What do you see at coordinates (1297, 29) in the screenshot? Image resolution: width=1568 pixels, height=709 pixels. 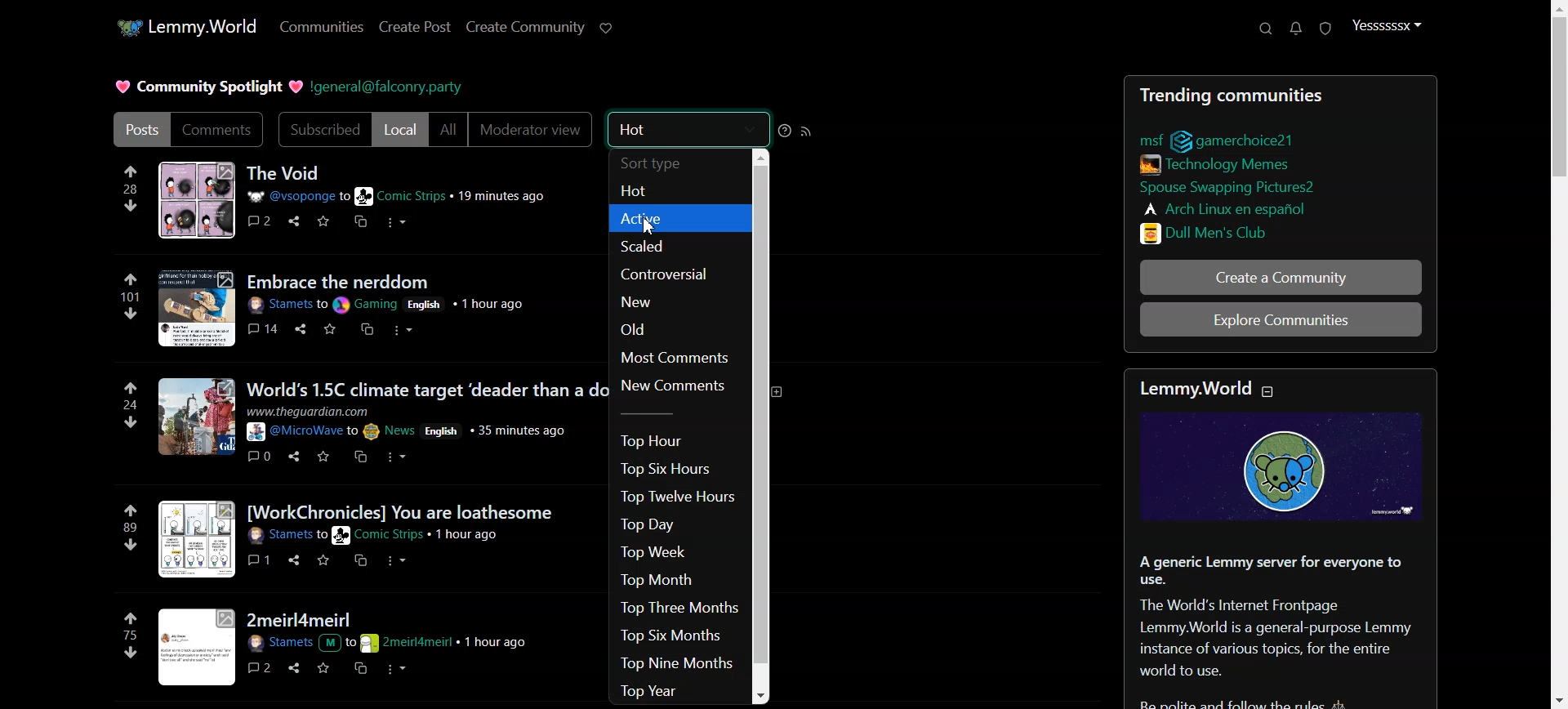 I see `Unread Message` at bounding box center [1297, 29].